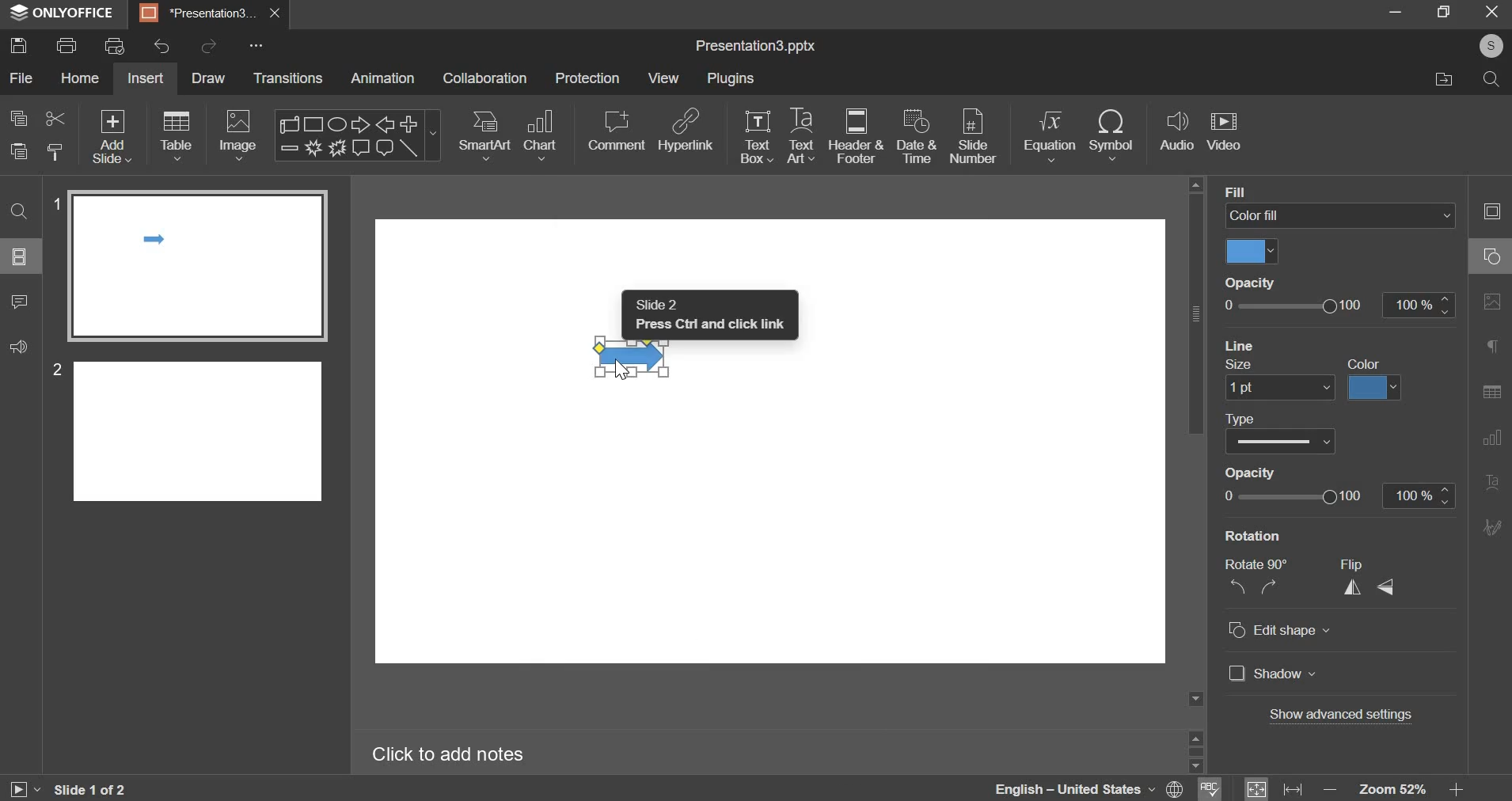 The image size is (1512, 801). What do you see at coordinates (54, 202) in the screenshot?
I see `slide number` at bounding box center [54, 202].